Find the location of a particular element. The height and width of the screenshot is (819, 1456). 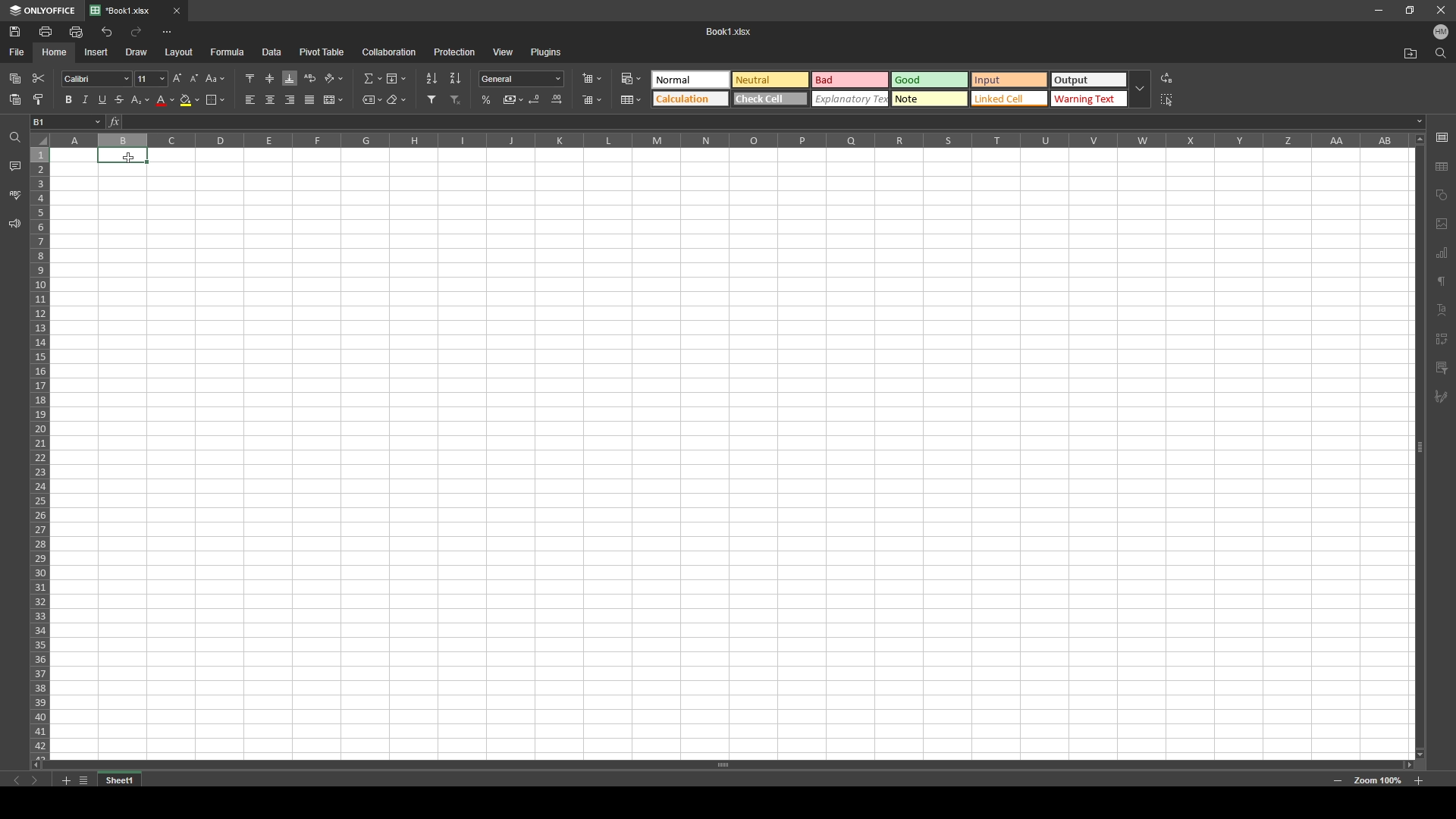

transform is located at coordinates (1442, 339).